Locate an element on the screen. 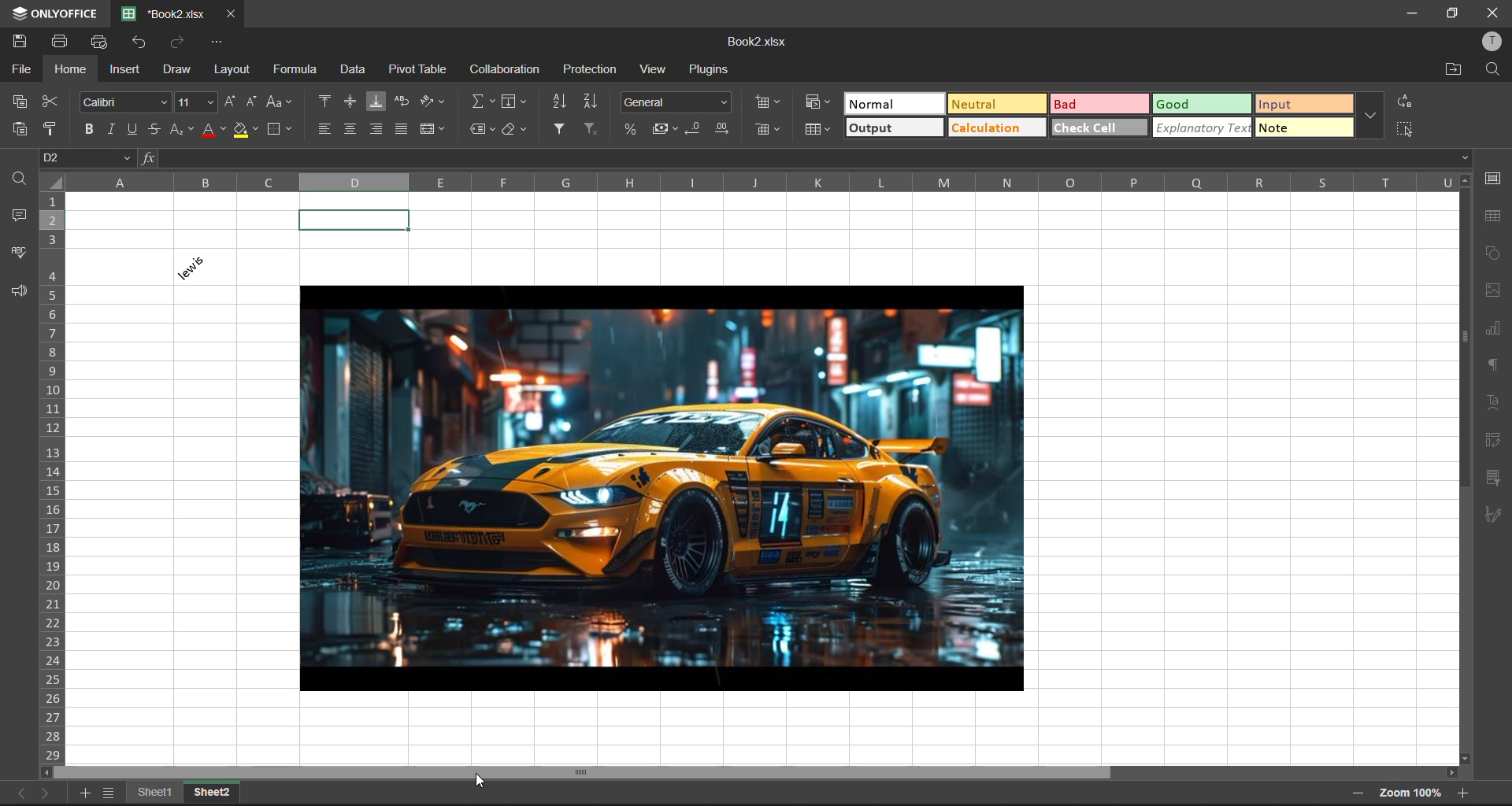  increment size is located at coordinates (229, 104).